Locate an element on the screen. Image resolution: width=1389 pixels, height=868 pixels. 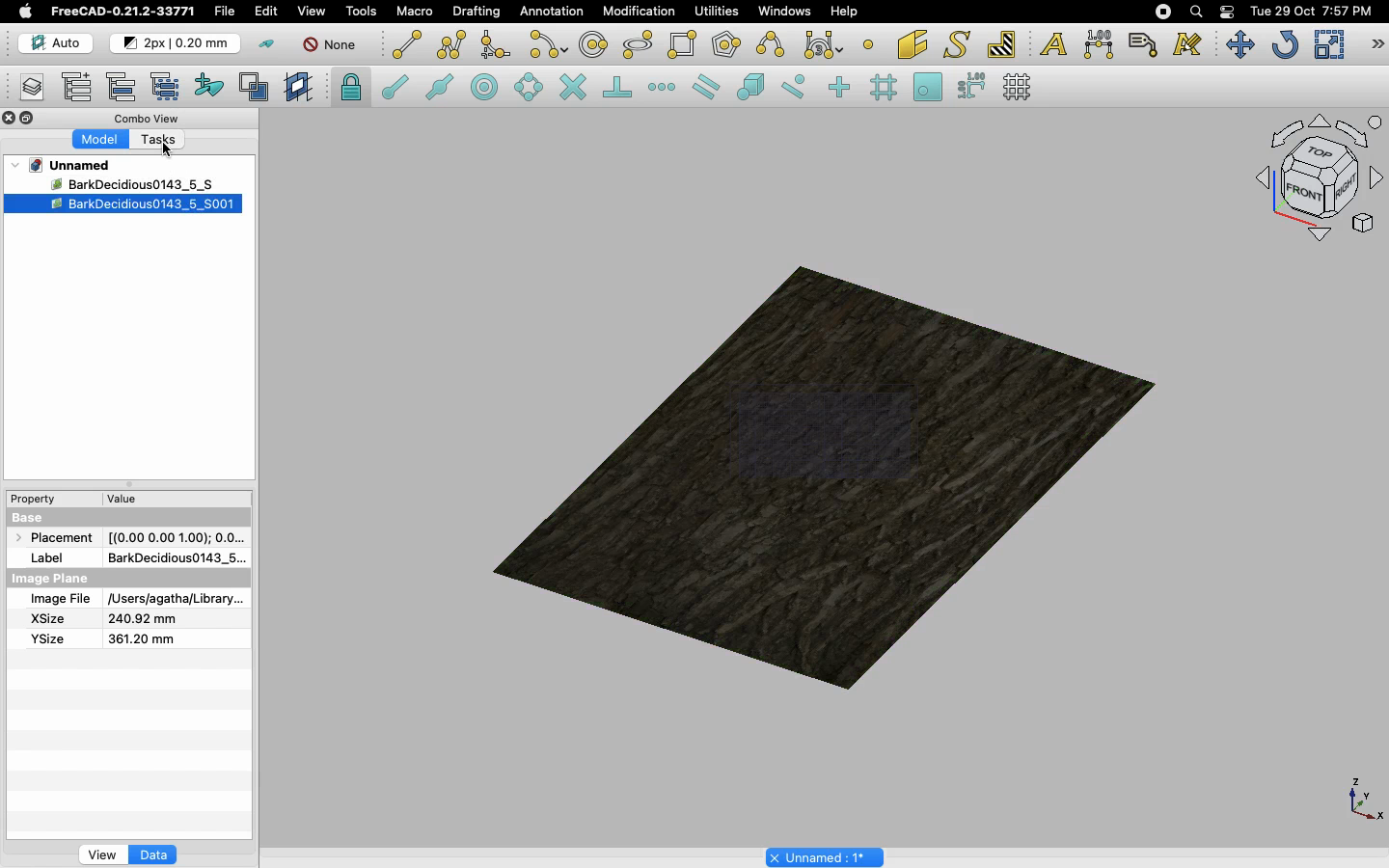
Model is located at coordinates (101, 140).